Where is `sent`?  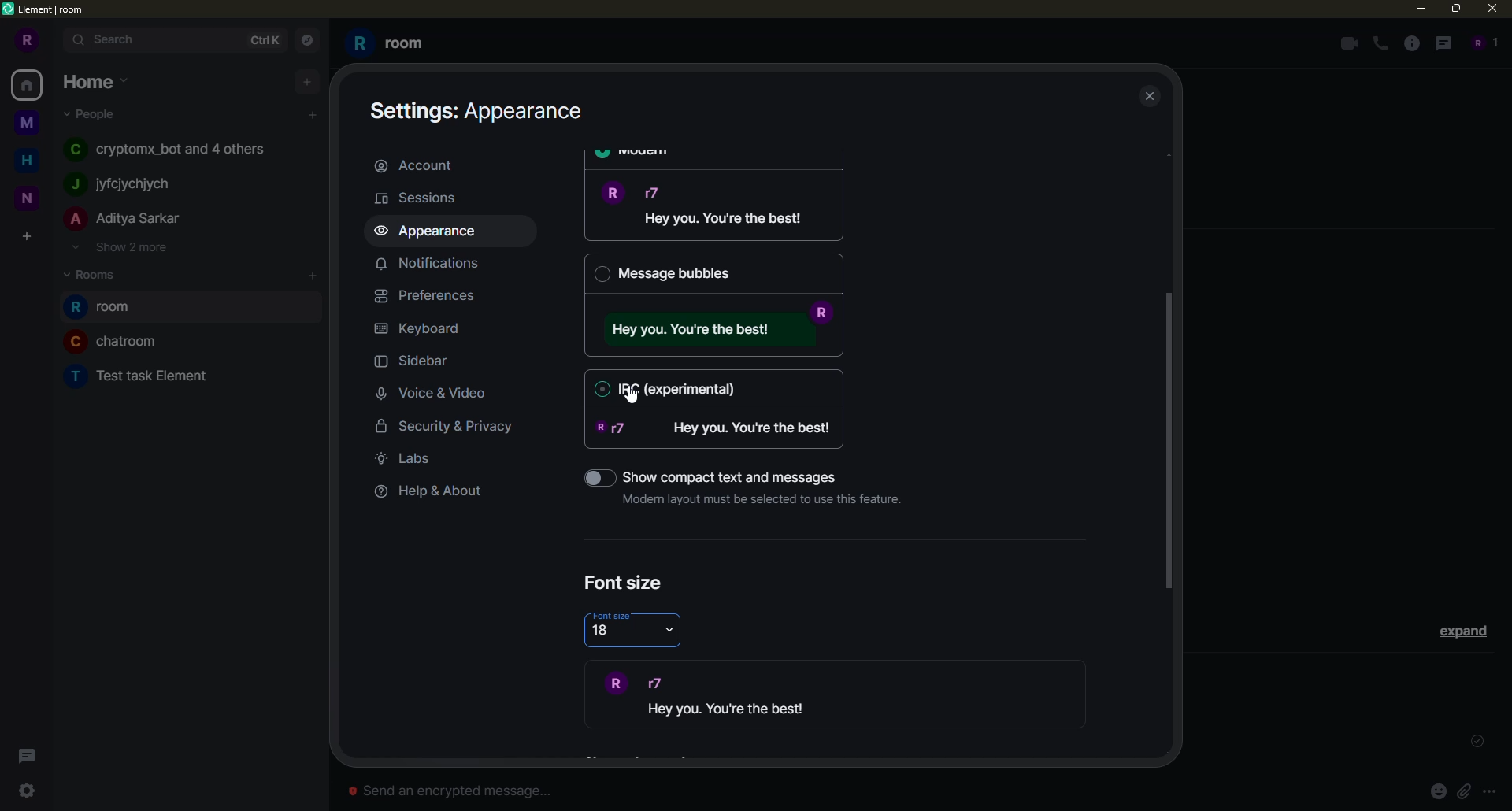
sent is located at coordinates (1474, 744).